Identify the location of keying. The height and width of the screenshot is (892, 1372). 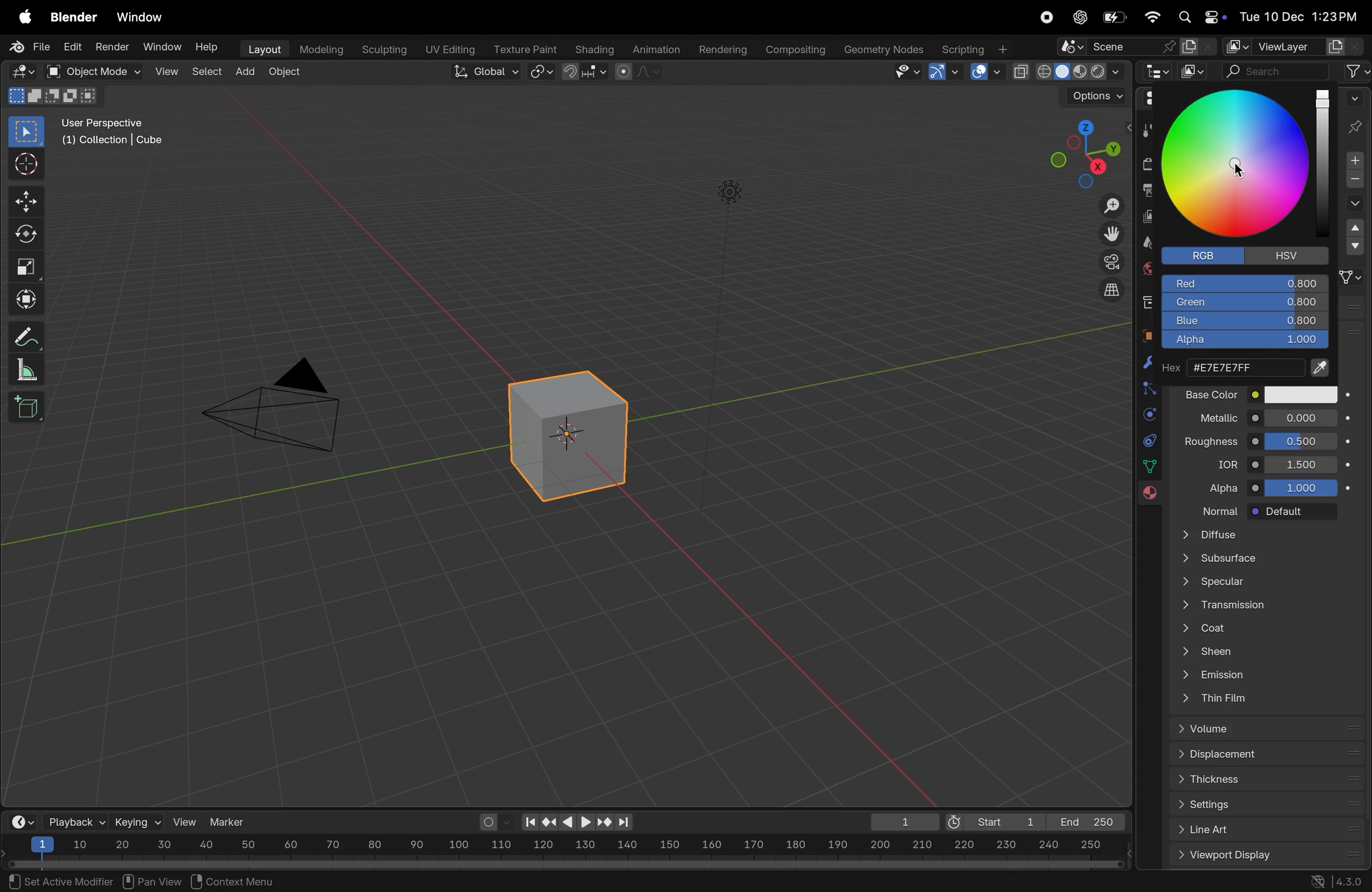
(137, 821).